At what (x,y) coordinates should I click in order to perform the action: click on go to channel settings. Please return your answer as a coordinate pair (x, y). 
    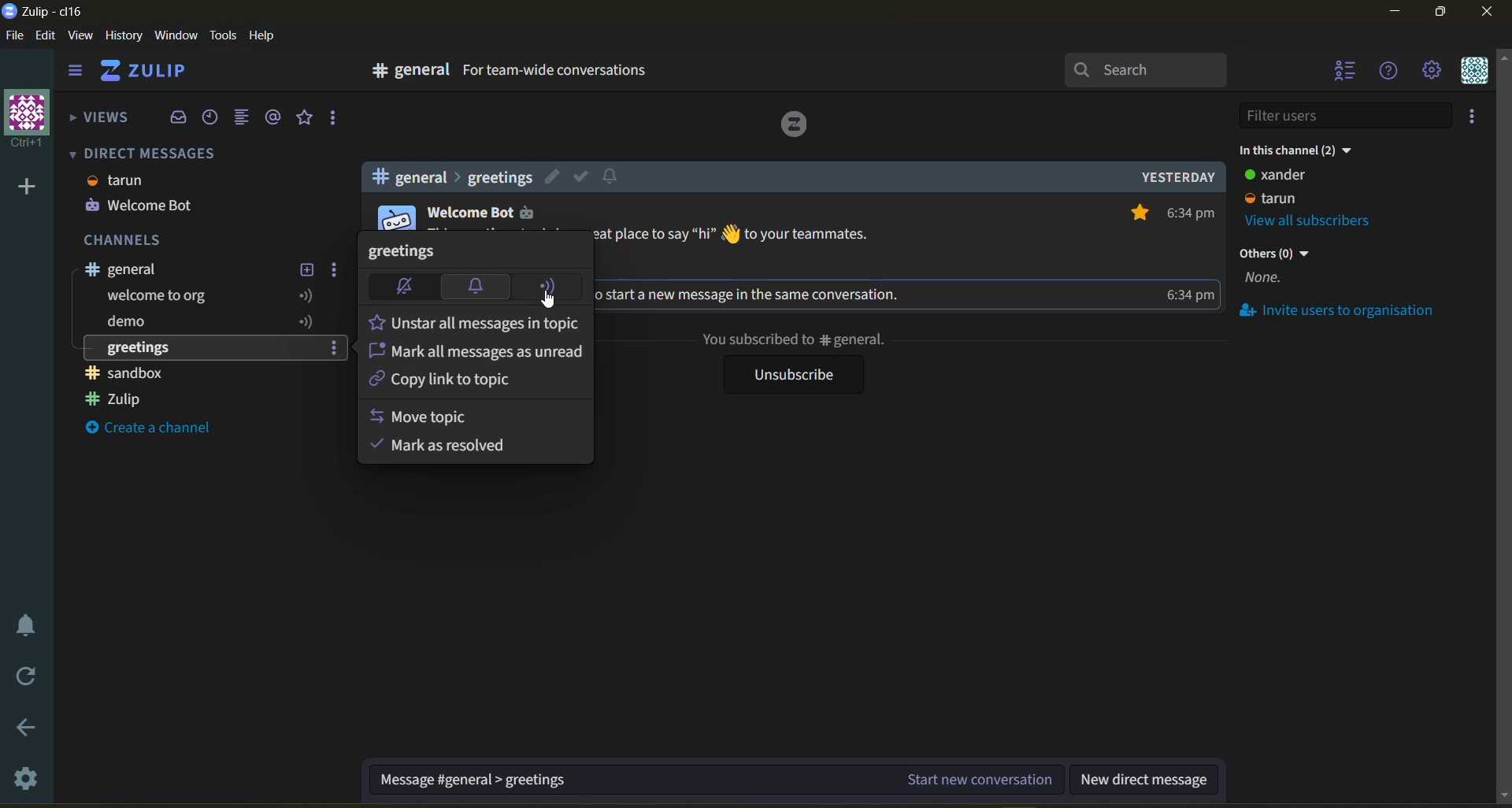
    Looking at the image, I should click on (402, 74).